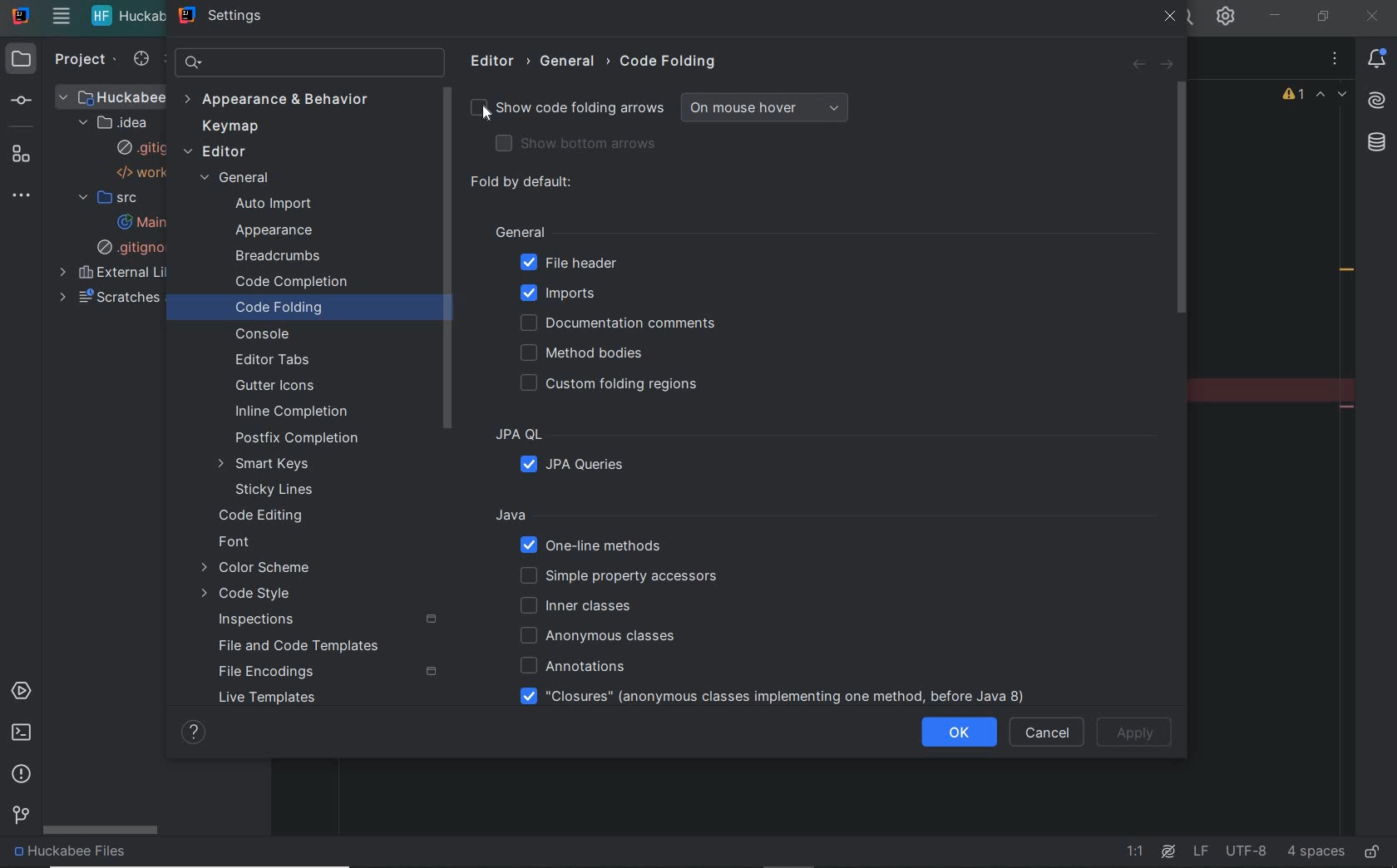 The height and width of the screenshot is (868, 1397). I want to click on CANCEL, so click(1049, 735).